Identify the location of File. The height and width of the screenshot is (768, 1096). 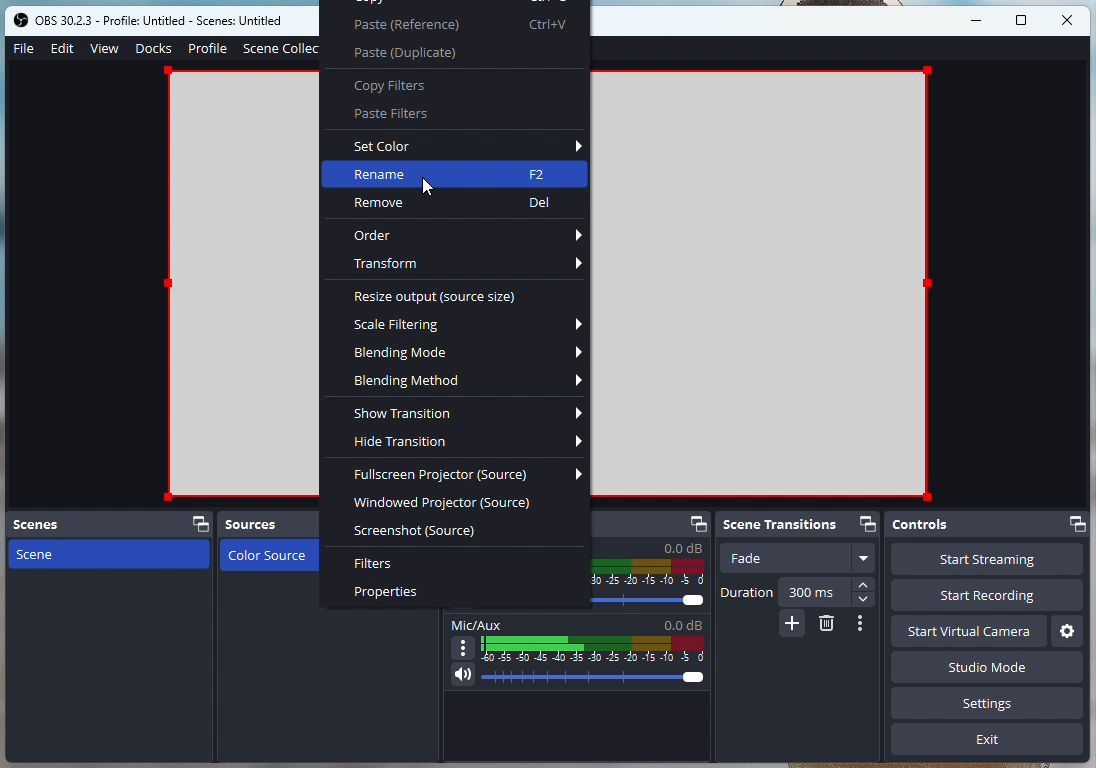
(22, 49).